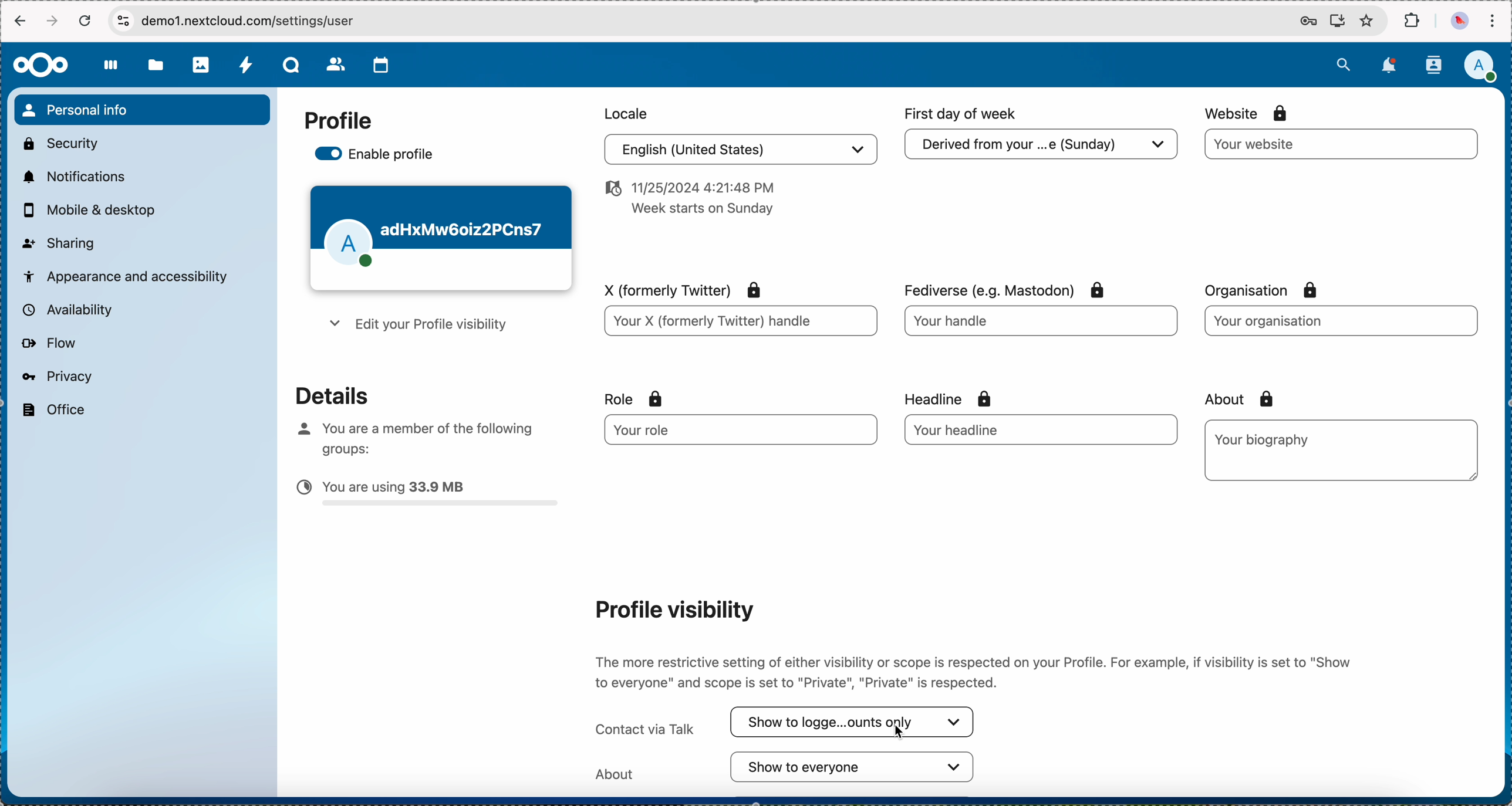 The width and height of the screenshot is (1512, 806). What do you see at coordinates (415, 327) in the screenshot?
I see `edit your profile visibility` at bounding box center [415, 327].